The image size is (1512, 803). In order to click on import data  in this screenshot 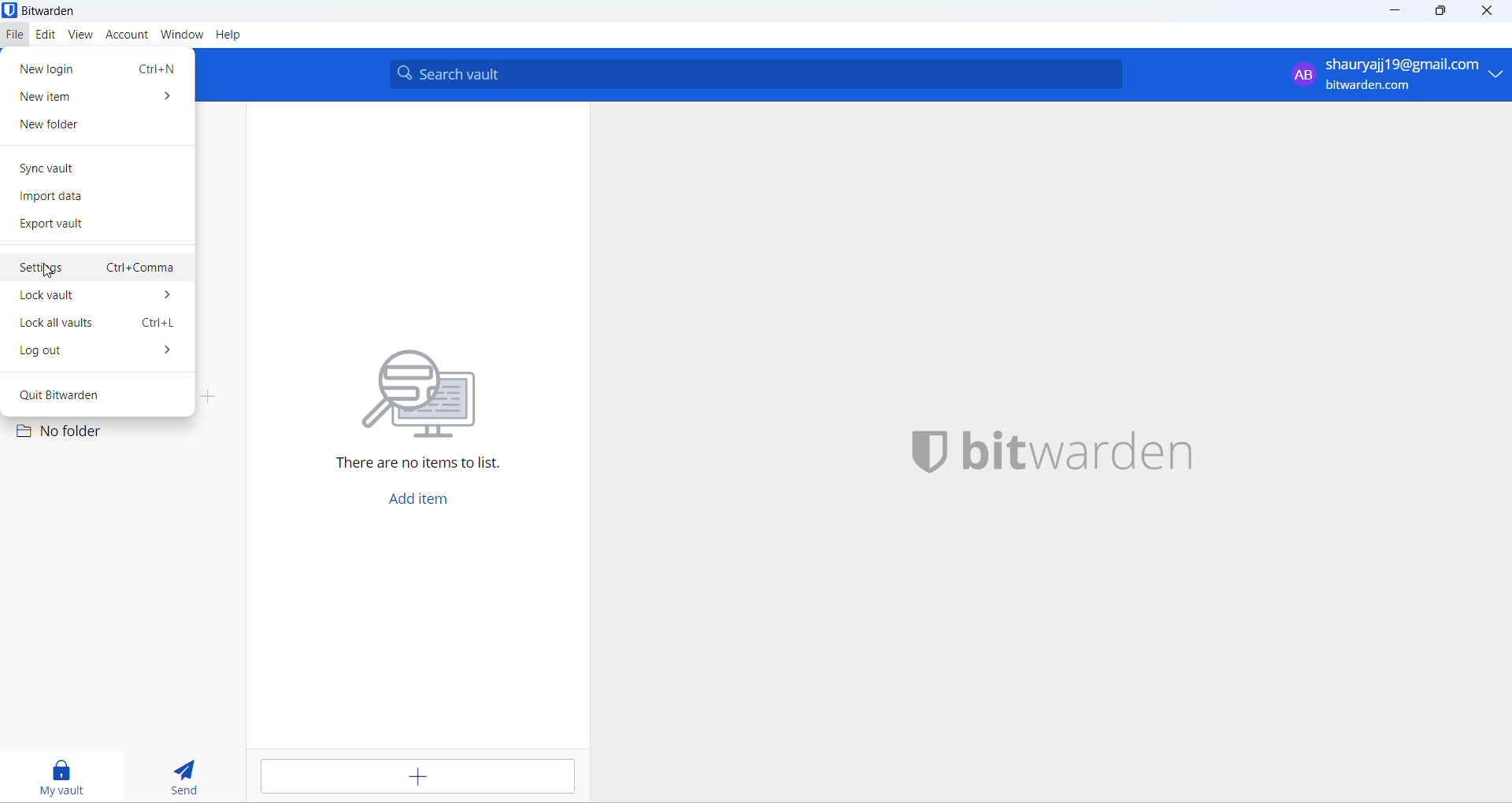, I will do `click(98, 198)`.